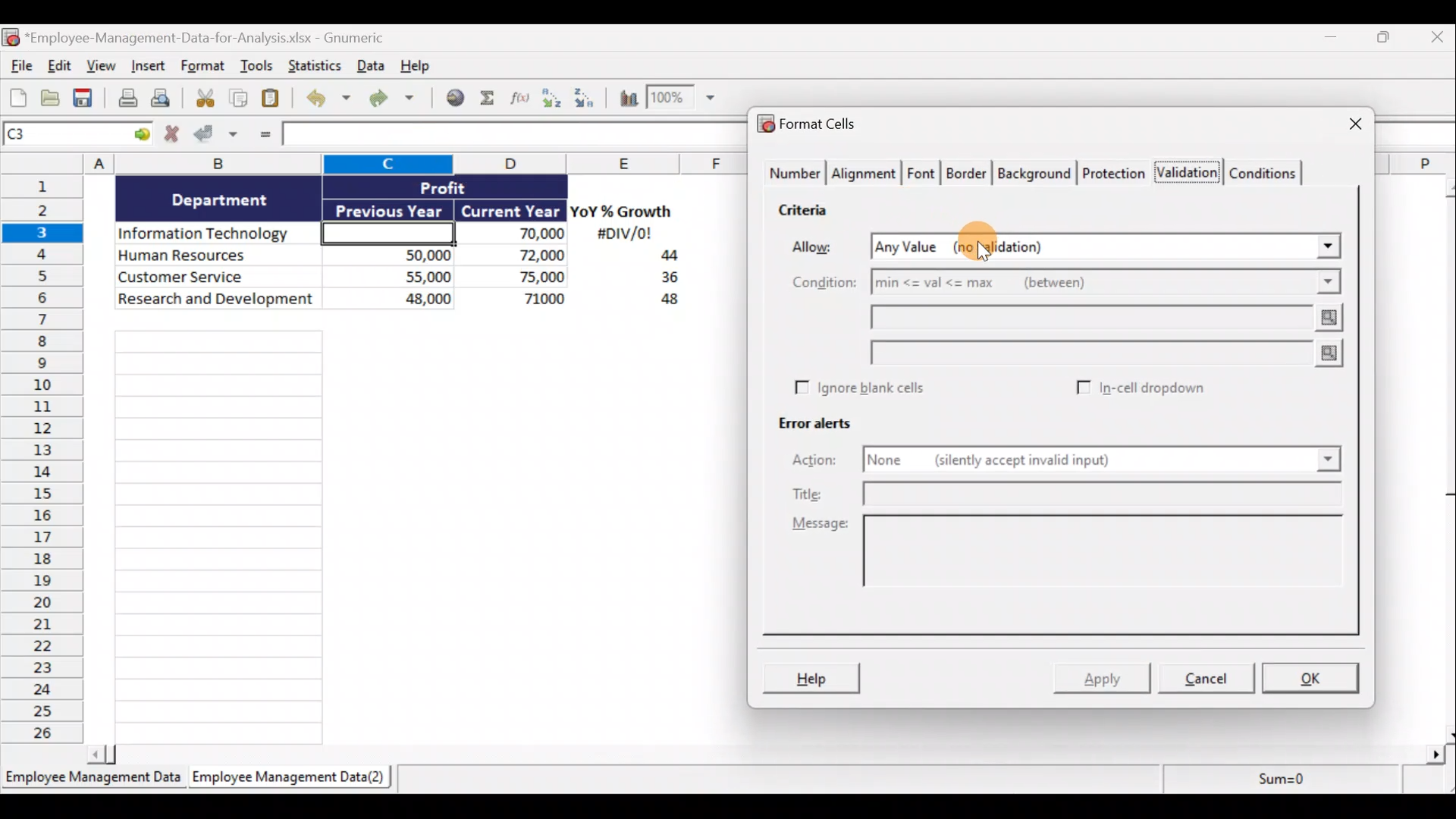  What do you see at coordinates (922, 171) in the screenshot?
I see `Font` at bounding box center [922, 171].